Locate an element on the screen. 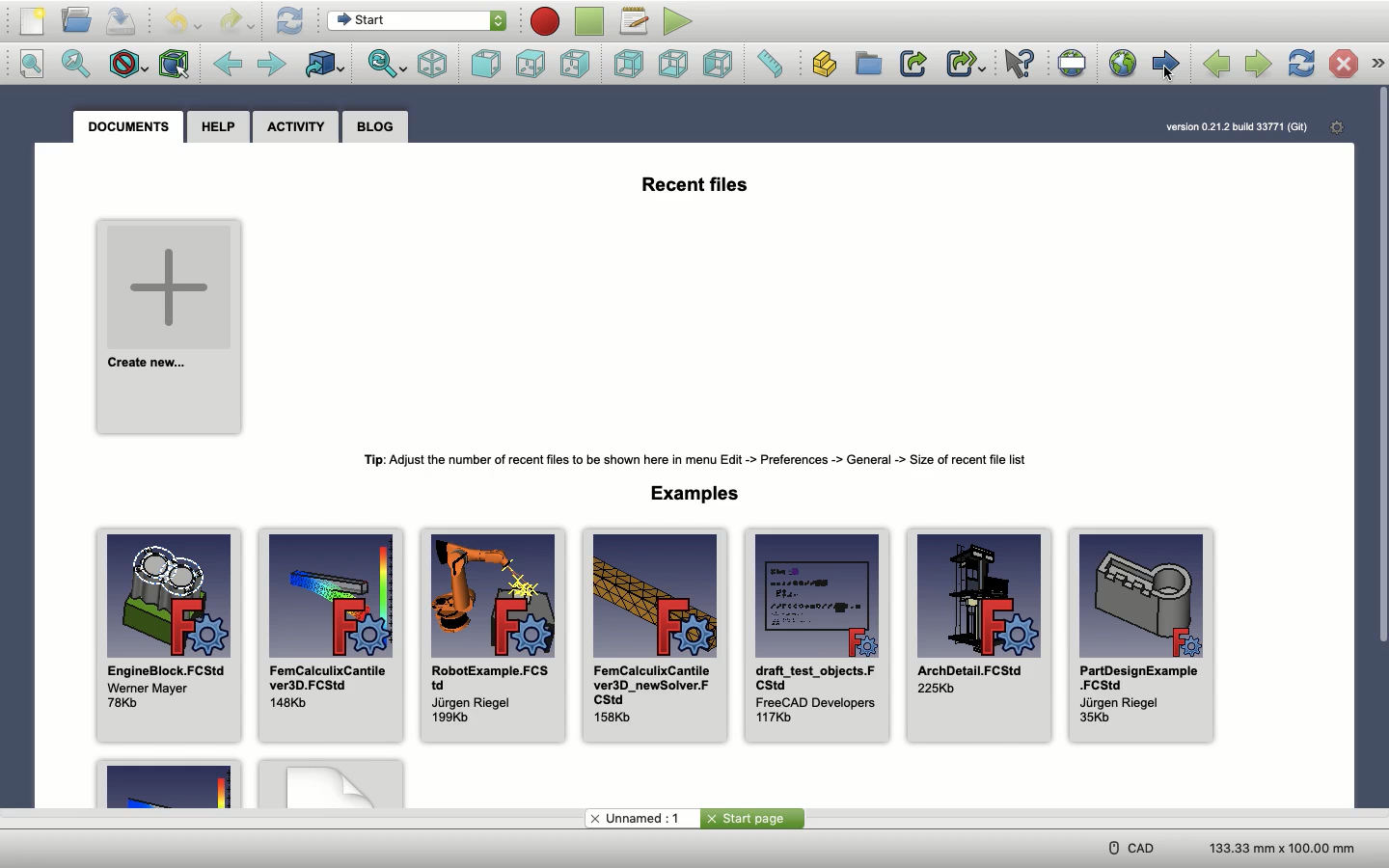 Image resolution: width=1389 pixels, height=868 pixels. Measure distance is located at coordinates (768, 63).